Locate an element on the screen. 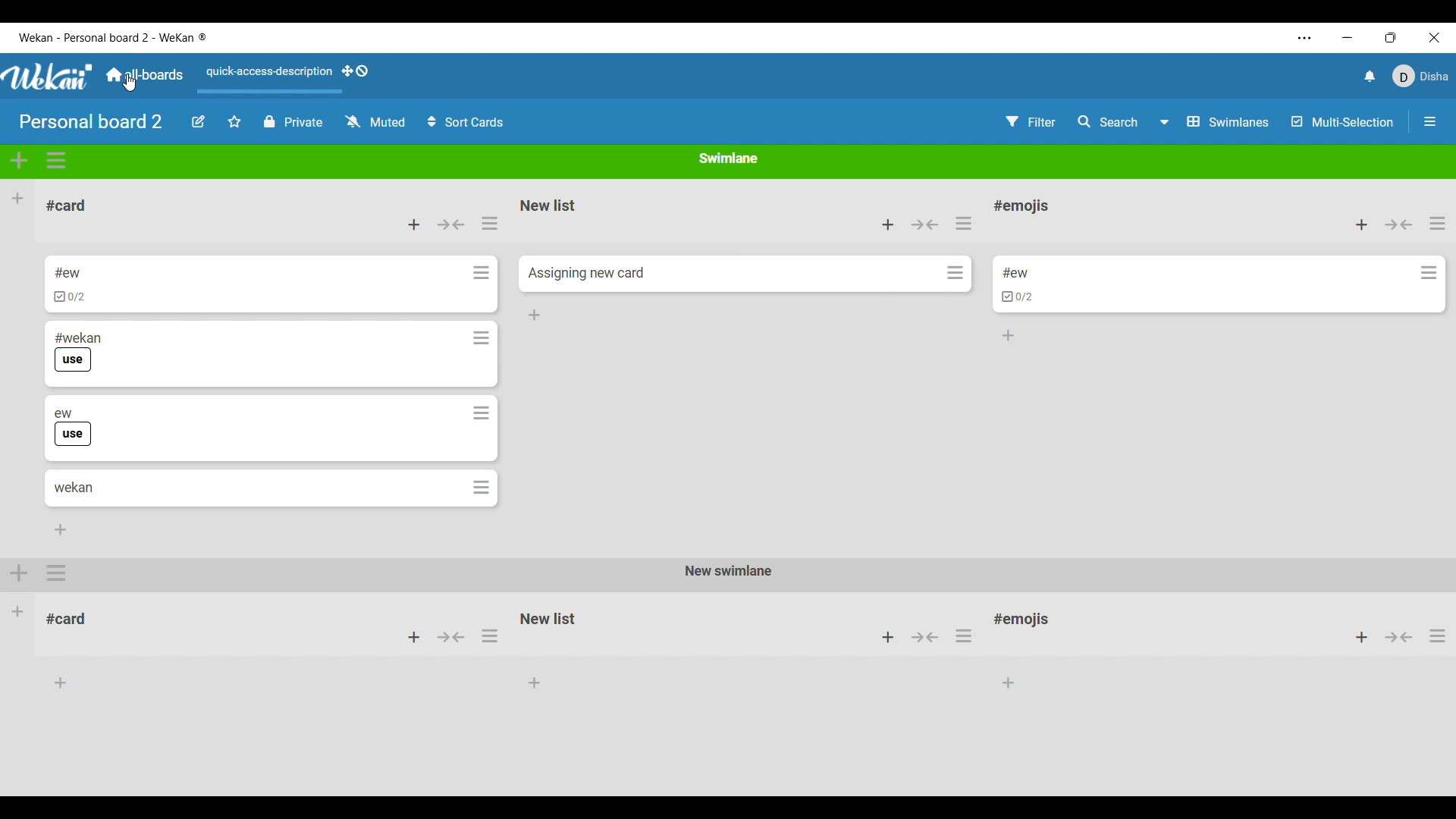 The image size is (1456, 819). actions is located at coordinates (1434, 636).